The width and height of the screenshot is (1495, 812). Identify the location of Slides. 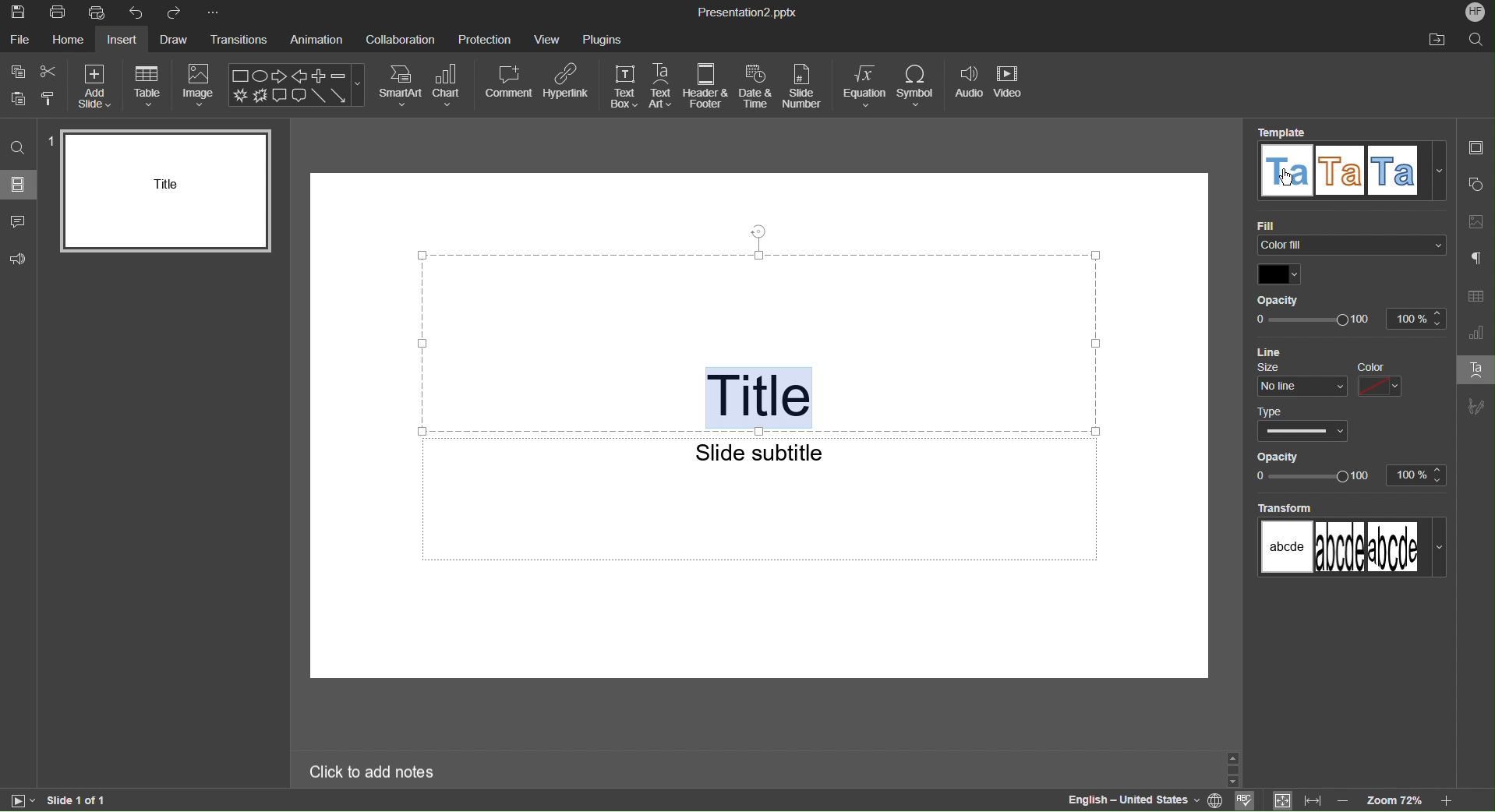
(20, 185).